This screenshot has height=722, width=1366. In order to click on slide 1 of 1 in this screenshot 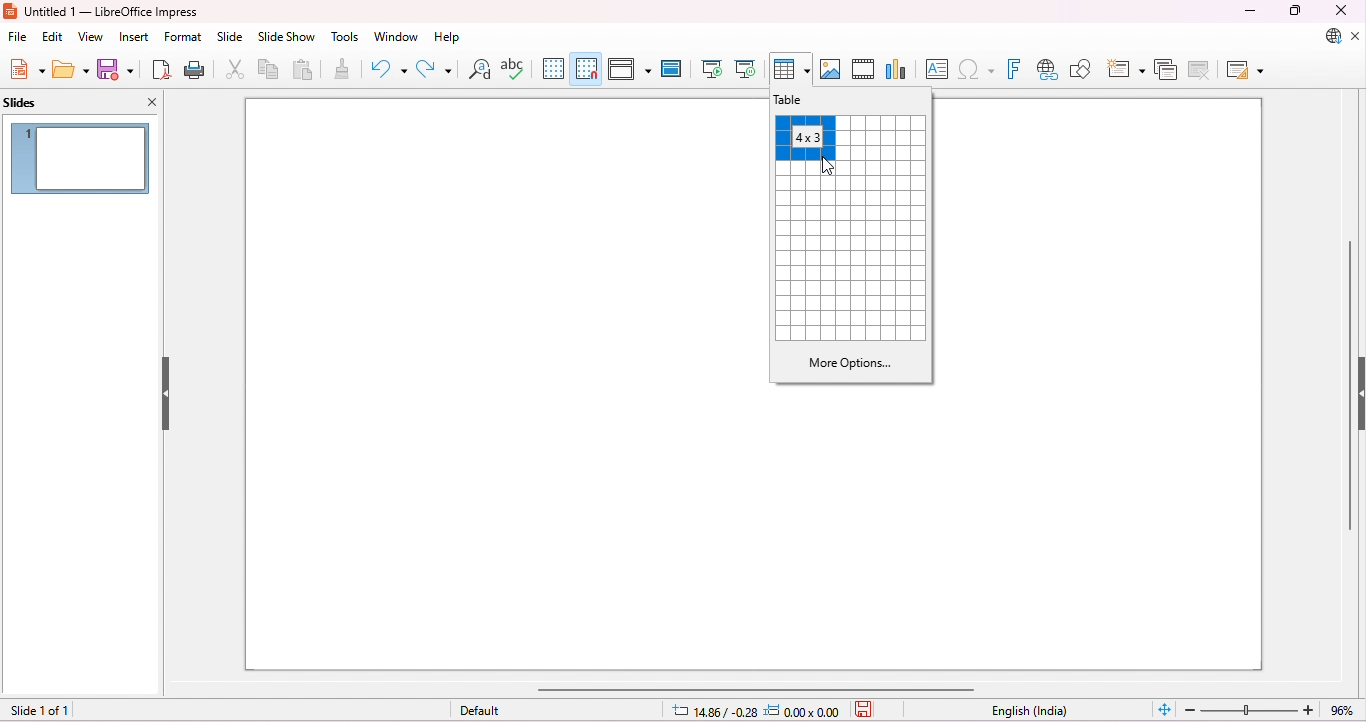, I will do `click(40, 711)`.